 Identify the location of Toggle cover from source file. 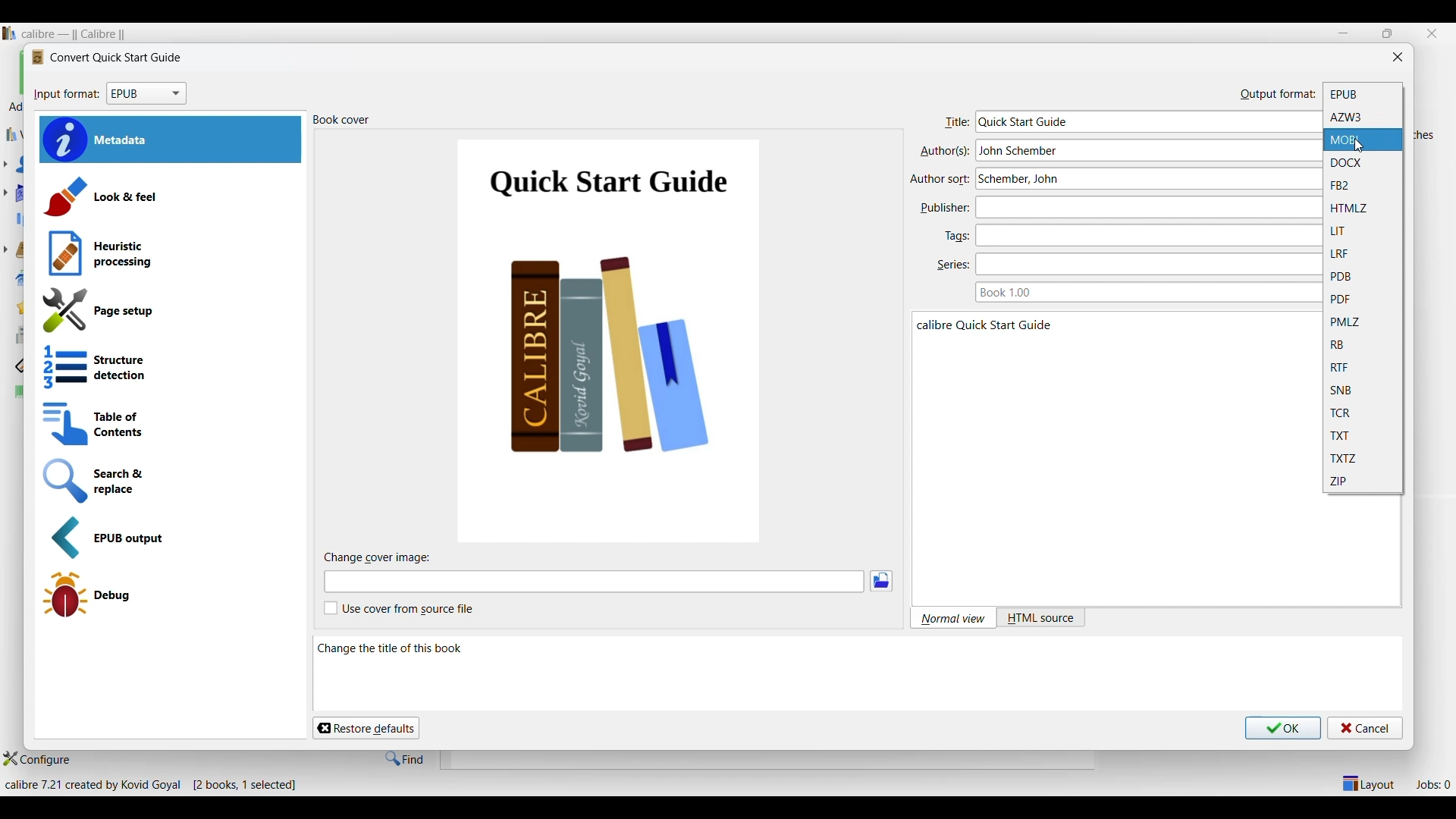
(399, 608).